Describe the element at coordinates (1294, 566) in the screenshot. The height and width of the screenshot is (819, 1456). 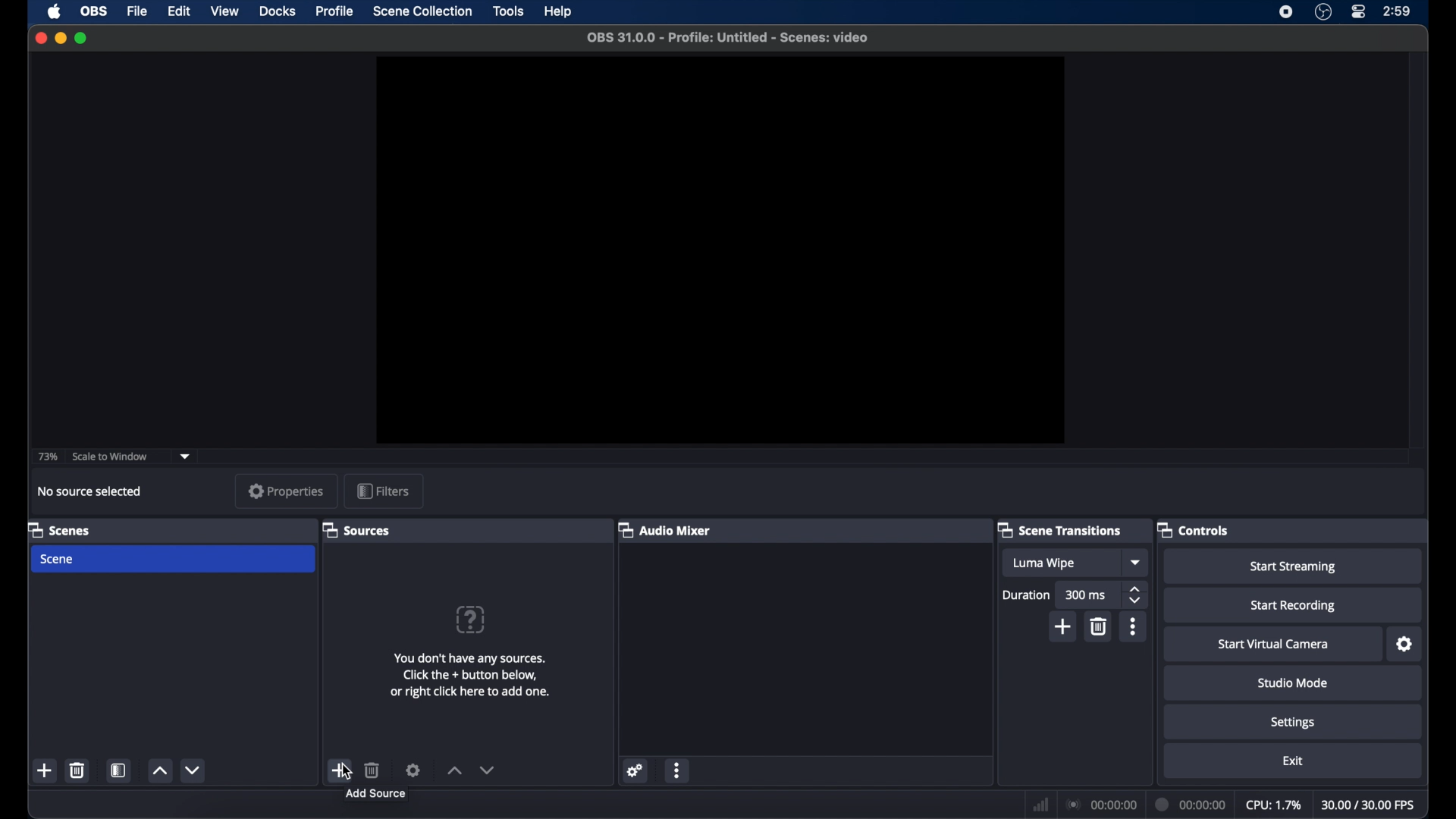
I see `start streaming` at that location.